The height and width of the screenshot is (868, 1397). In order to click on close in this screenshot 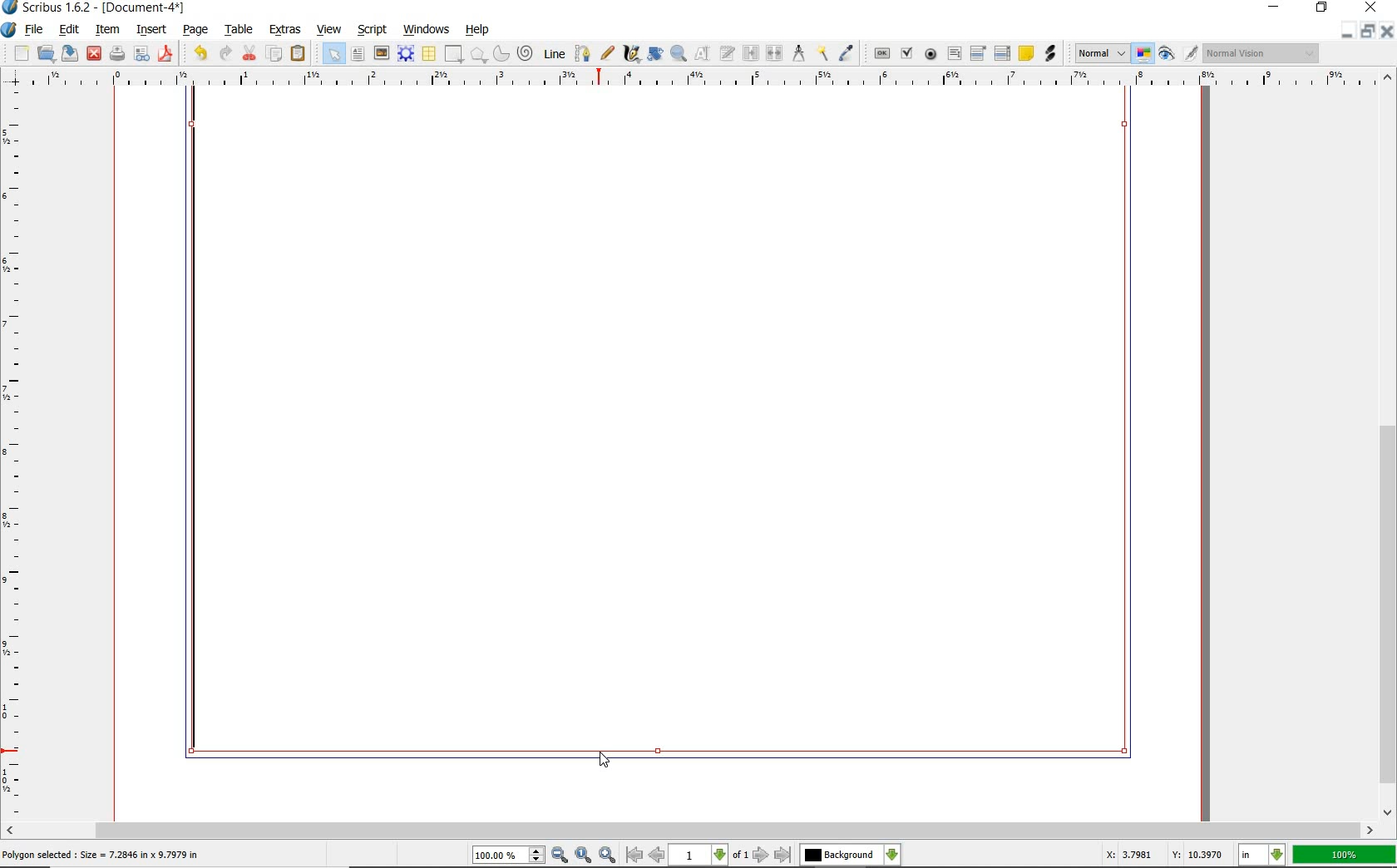, I will do `click(1370, 8)`.